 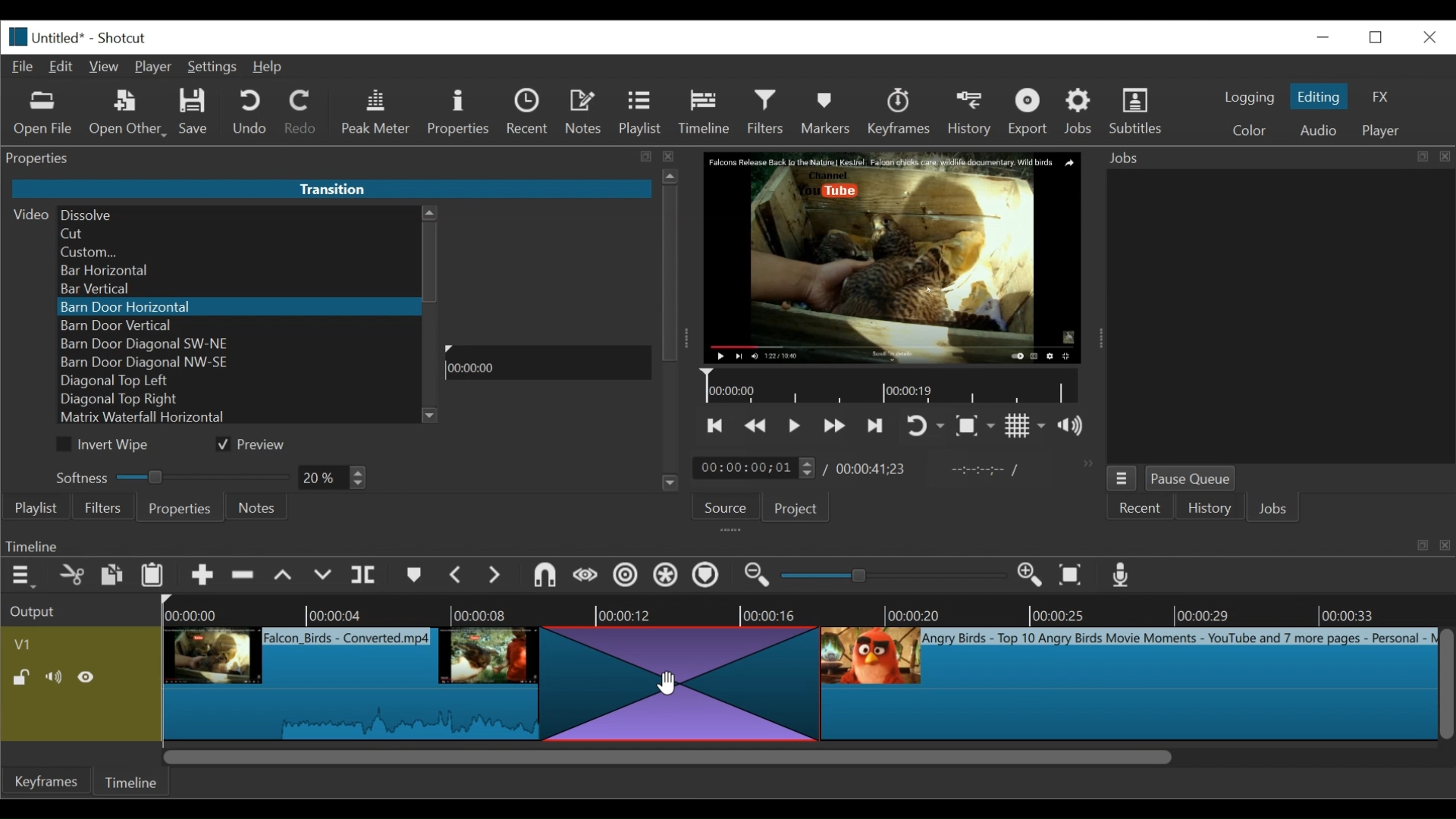 What do you see at coordinates (102, 507) in the screenshot?
I see `Filters` at bounding box center [102, 507].